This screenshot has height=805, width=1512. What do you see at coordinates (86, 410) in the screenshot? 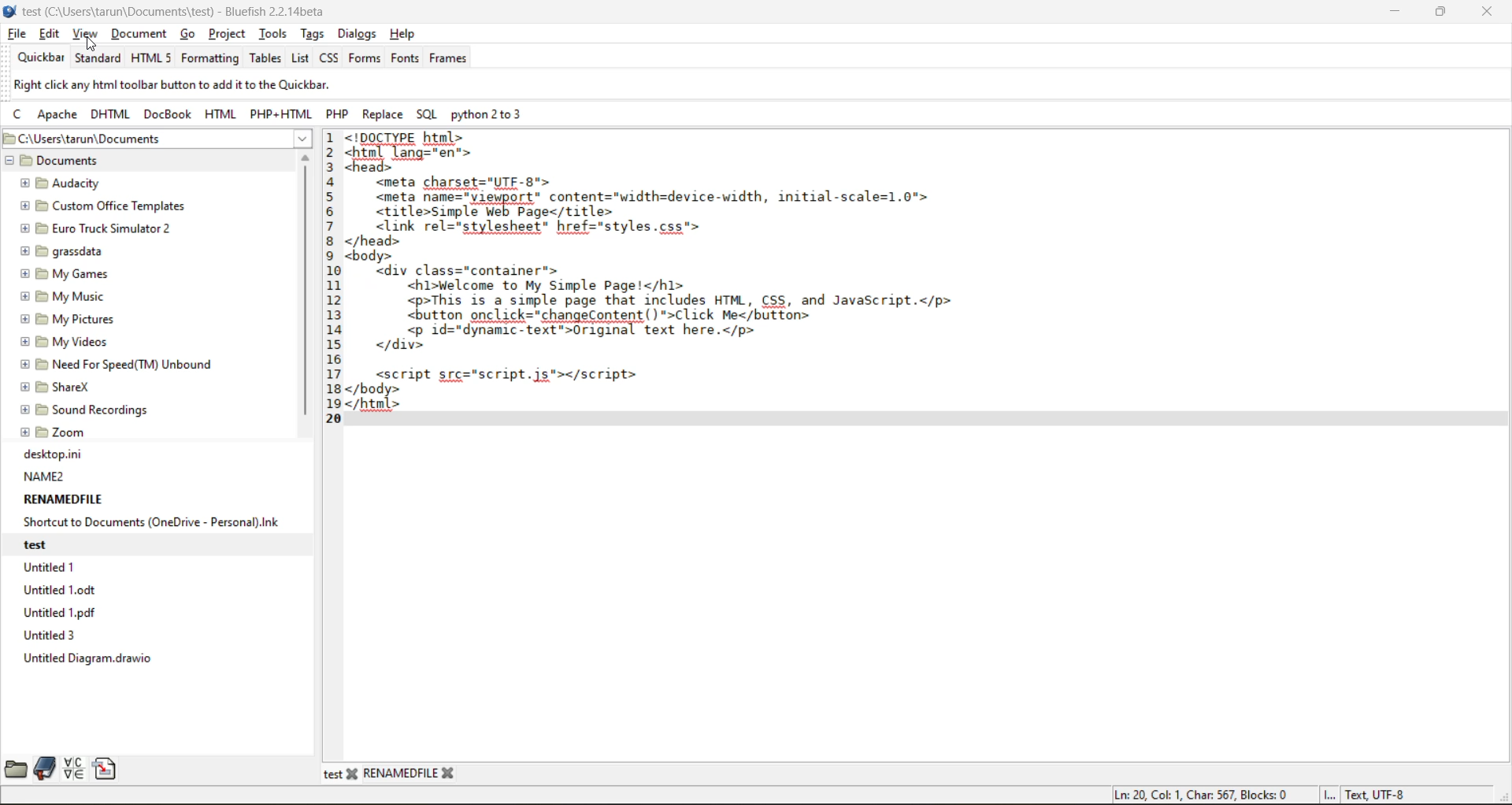
I see `@# P* Sound Recordinas` at bounding box center [86, 410].